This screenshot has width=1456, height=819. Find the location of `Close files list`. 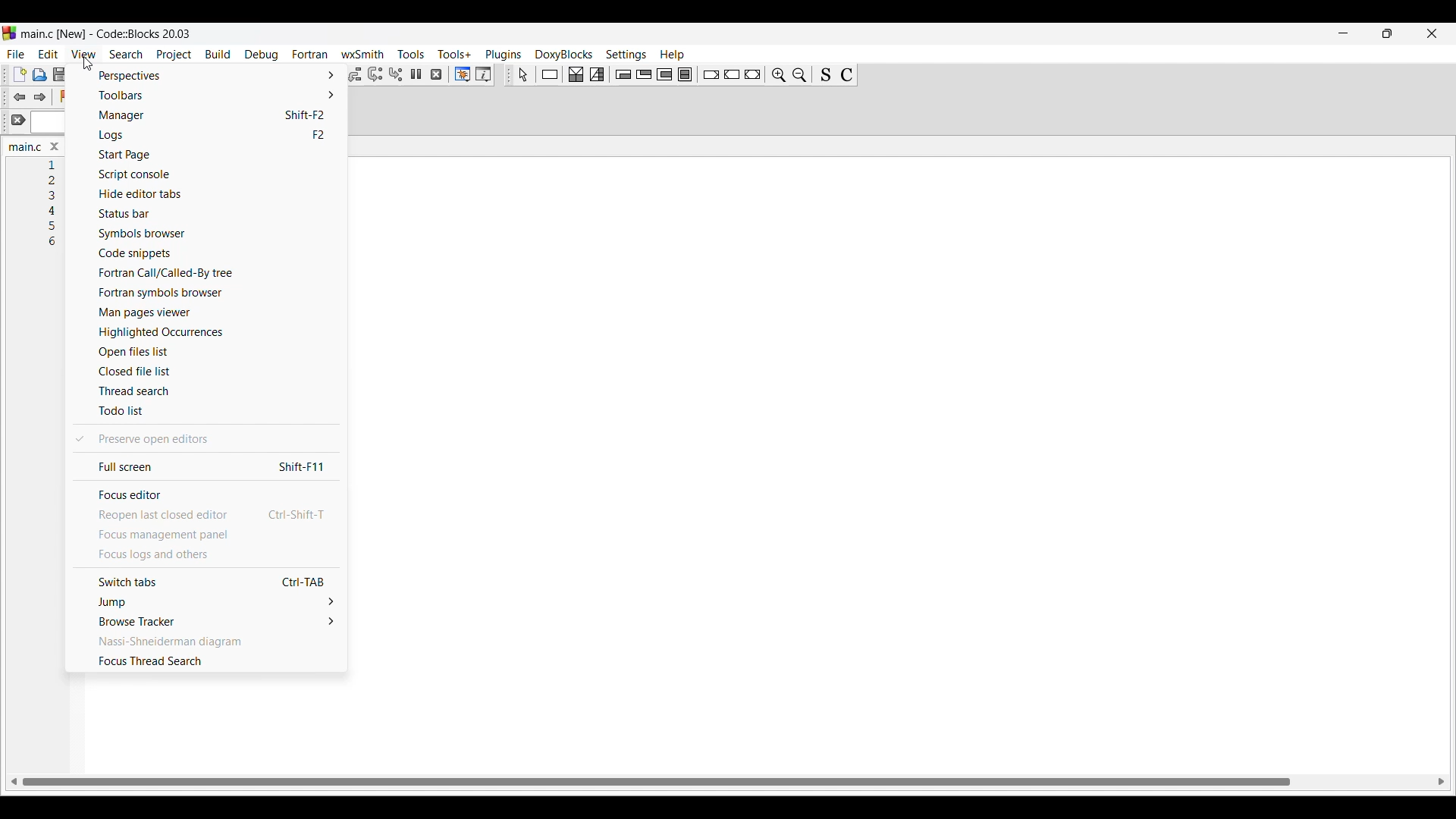

Close files list is located at coordinates (212, 372).